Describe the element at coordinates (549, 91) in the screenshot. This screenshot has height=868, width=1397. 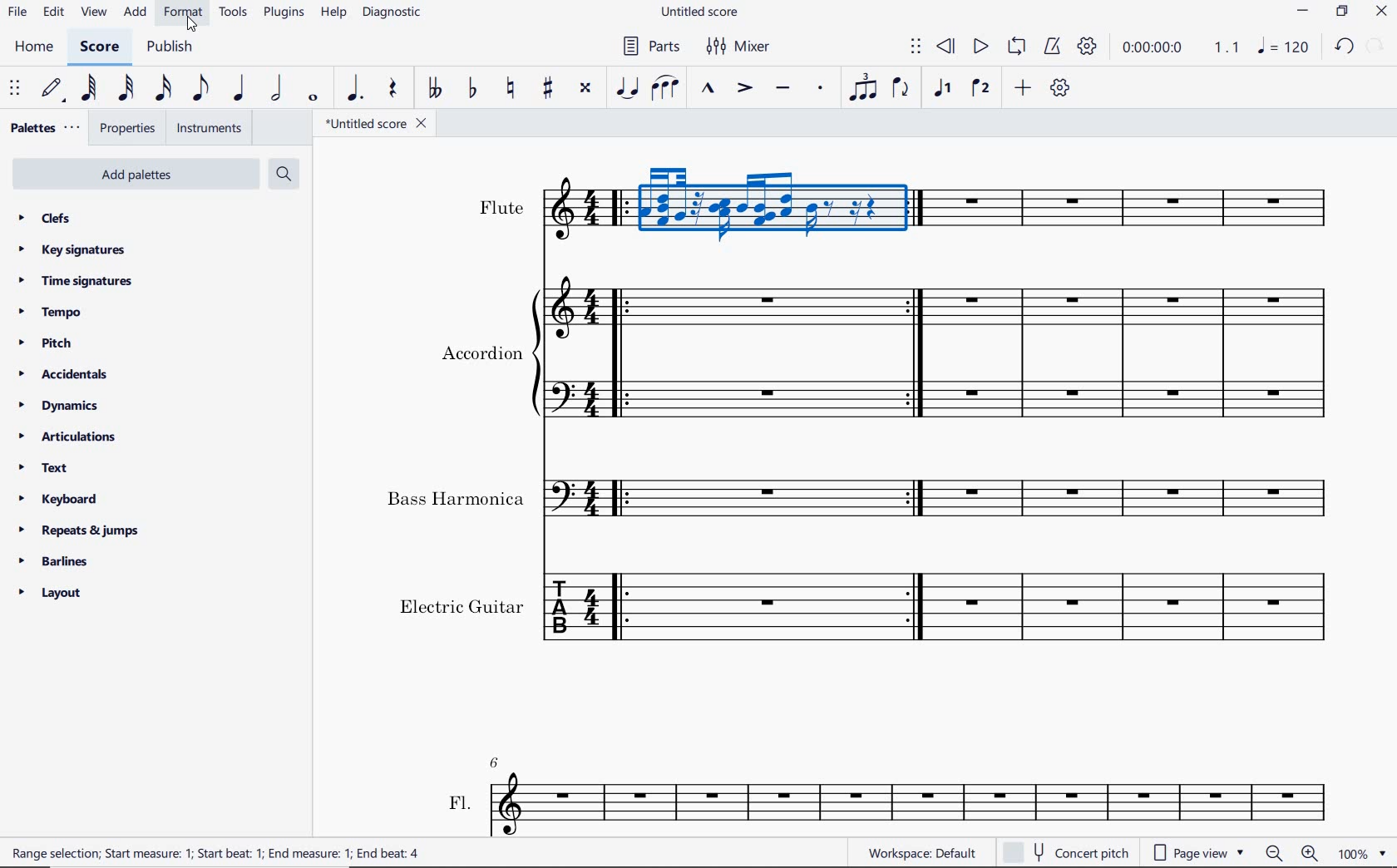
I see `toggle sharp` at that location.